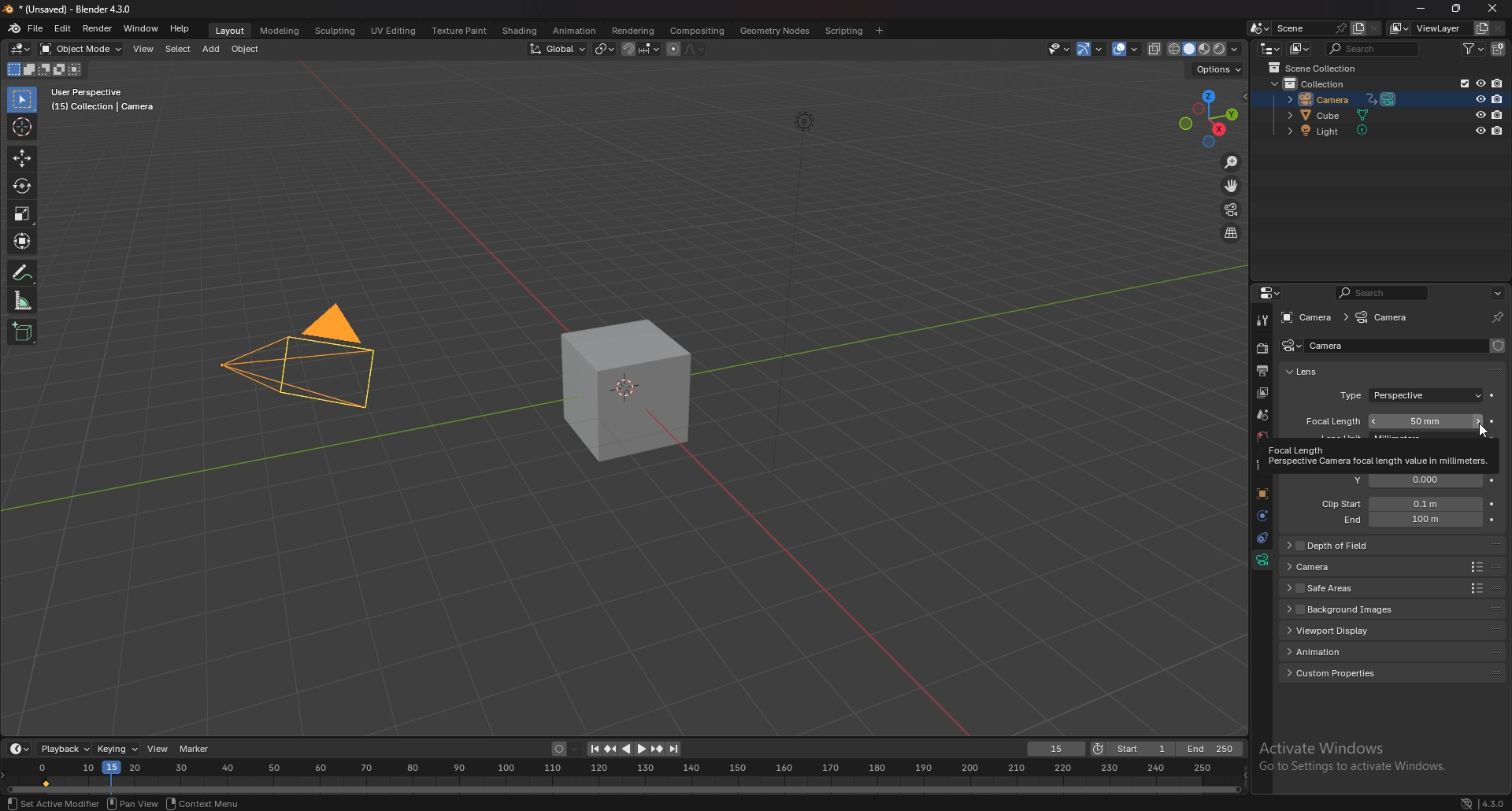 This screenshot has height=811, width=1512. I want to click on view, so click(143, 48).